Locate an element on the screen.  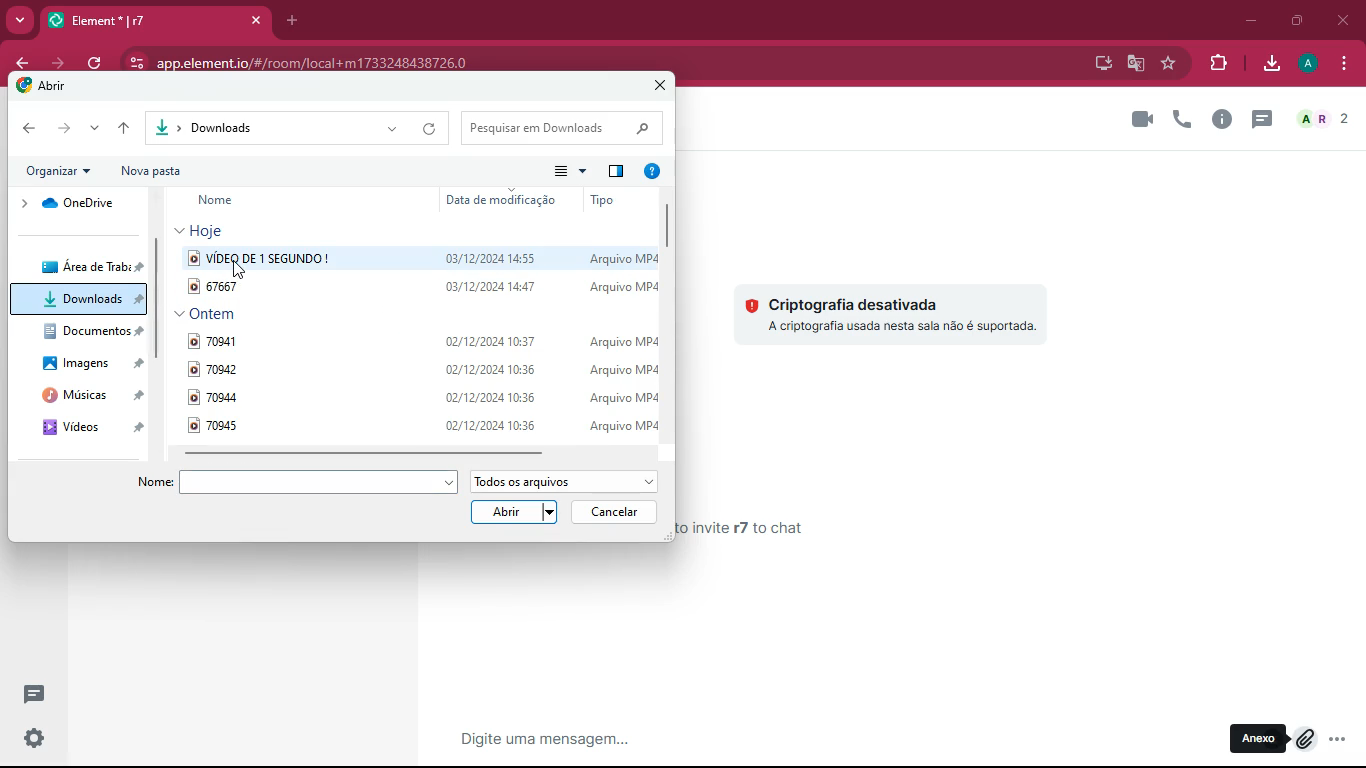
download is located at coordinates (1272, 65).